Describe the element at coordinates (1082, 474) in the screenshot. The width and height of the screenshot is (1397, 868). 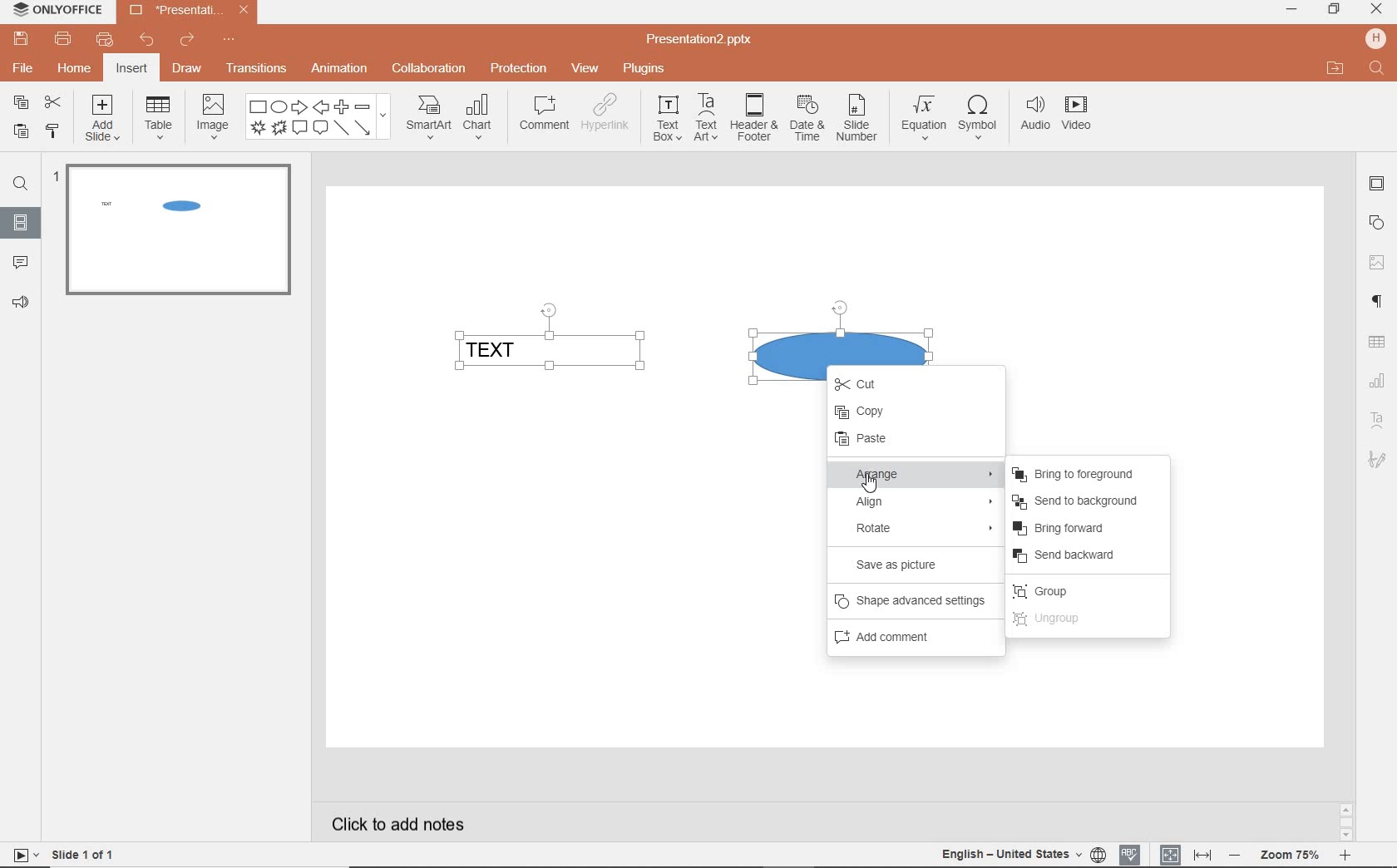
I see `BRING TO FOREGROUND` at that location.